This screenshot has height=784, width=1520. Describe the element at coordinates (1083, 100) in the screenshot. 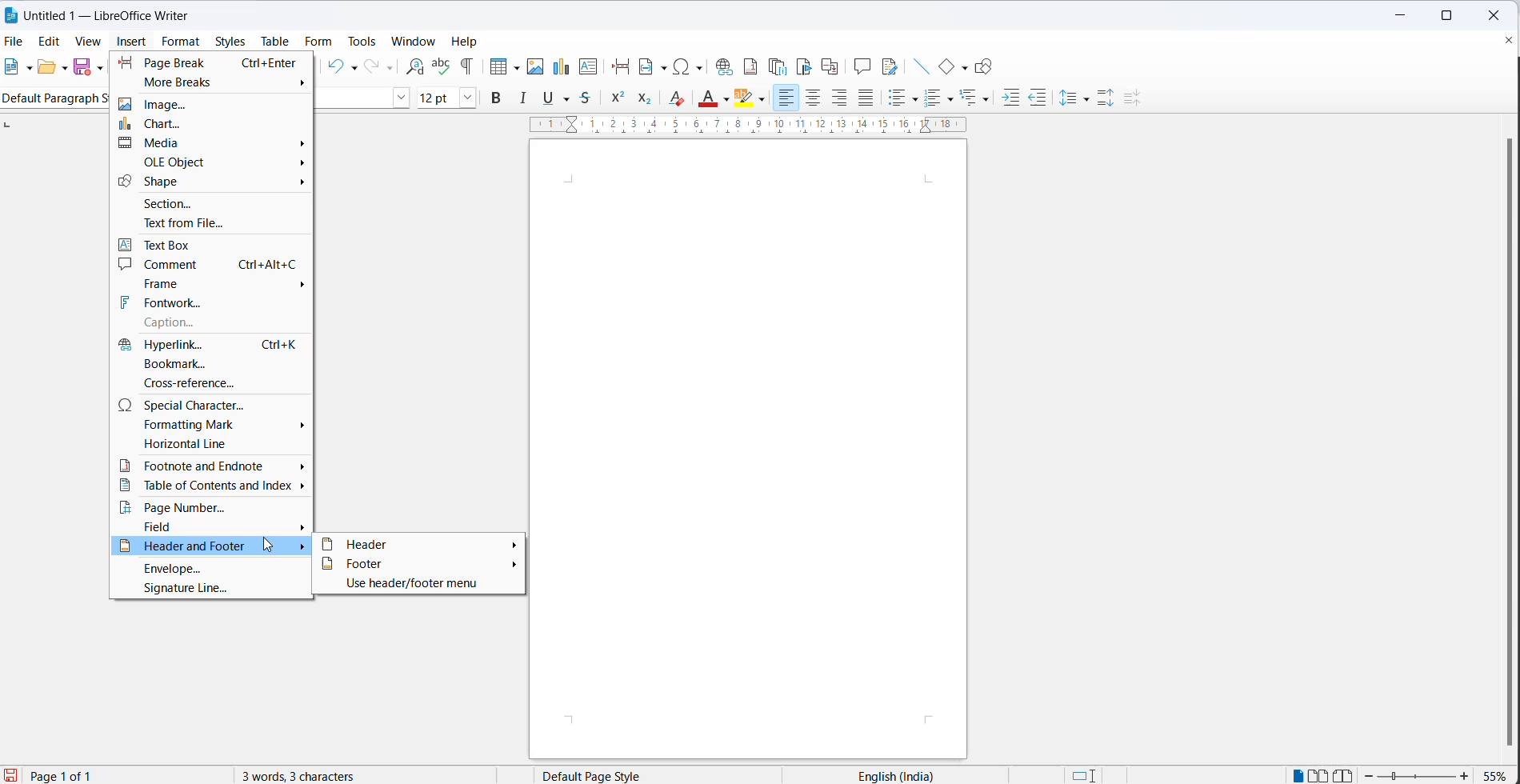

I see `line spacing options` at that location.